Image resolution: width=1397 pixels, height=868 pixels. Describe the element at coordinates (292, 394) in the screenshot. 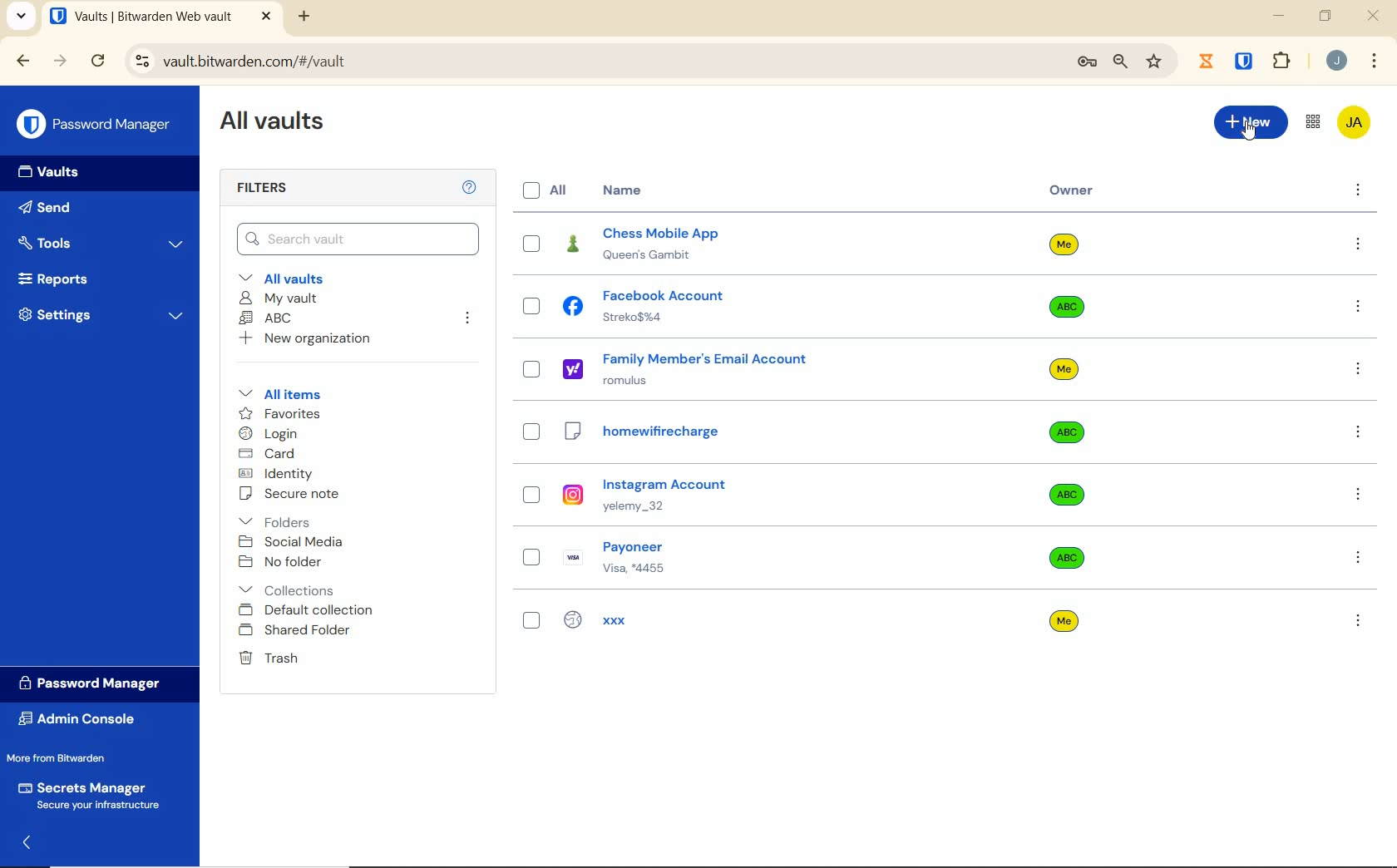

I see `All items` at that location.